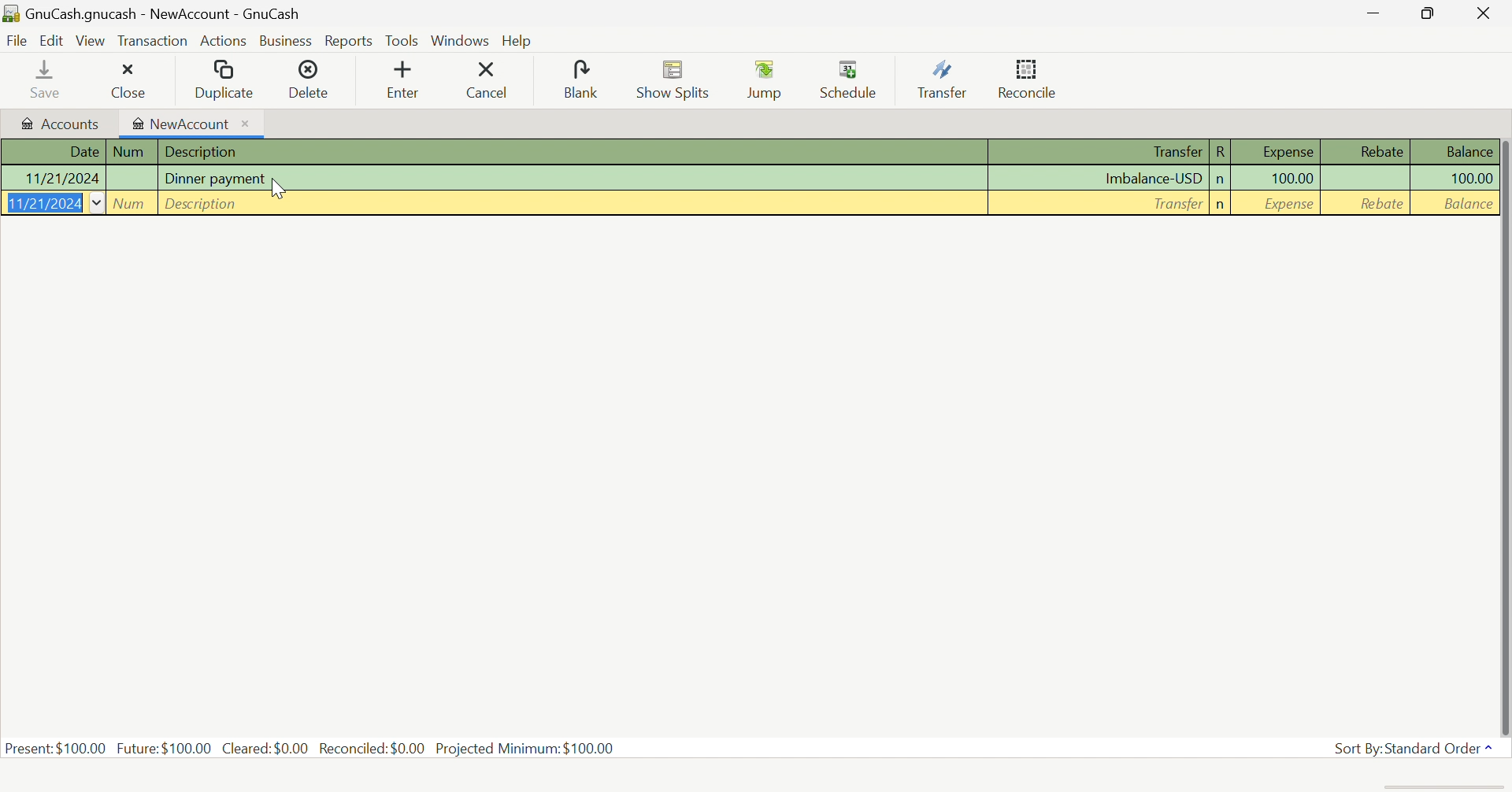  Describe the element at coordinates (1412, 748) in the screenshot. I see `Sort By: Standard Order` at that location.